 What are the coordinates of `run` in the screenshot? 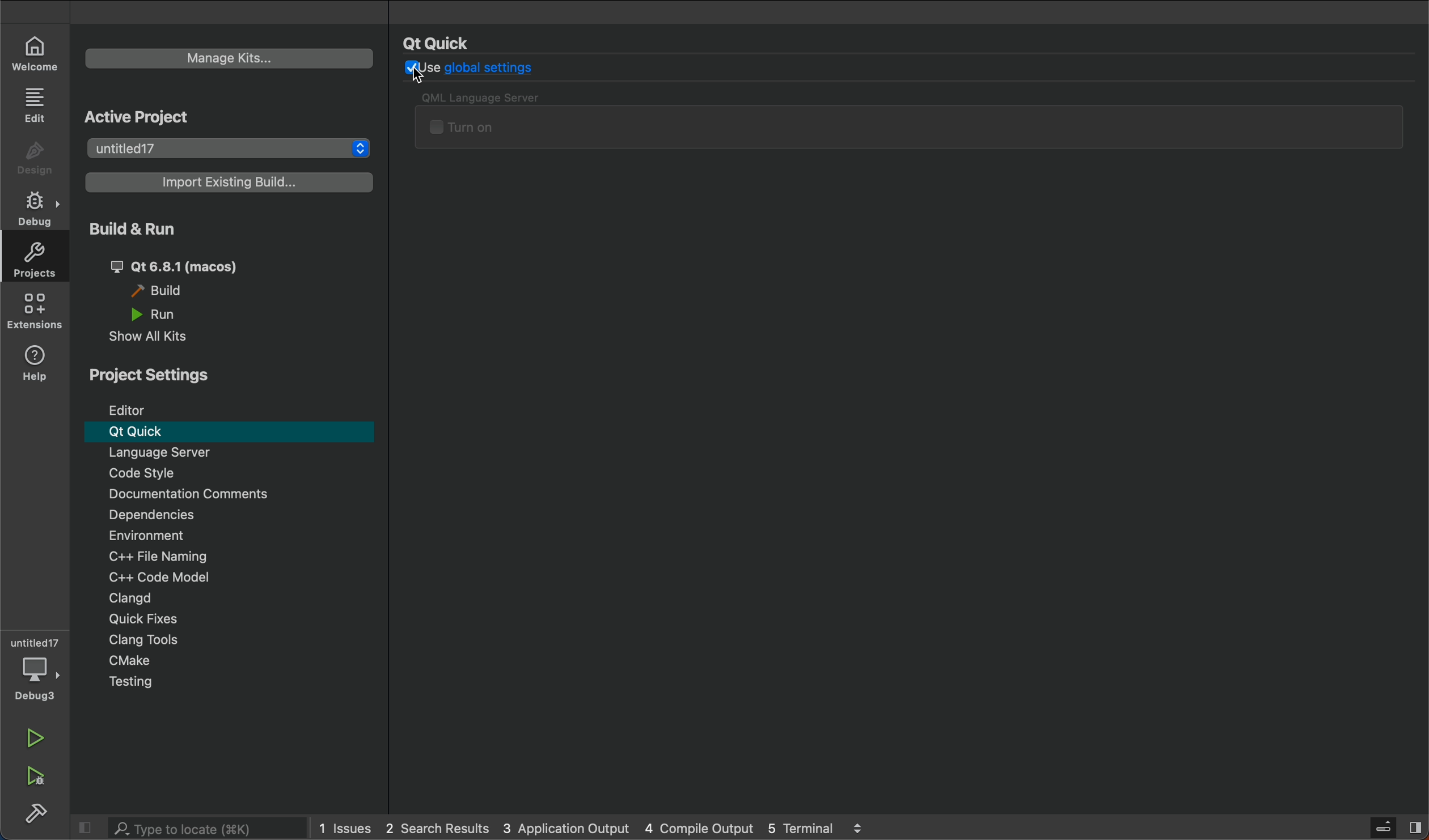 It's located at (159, 315).